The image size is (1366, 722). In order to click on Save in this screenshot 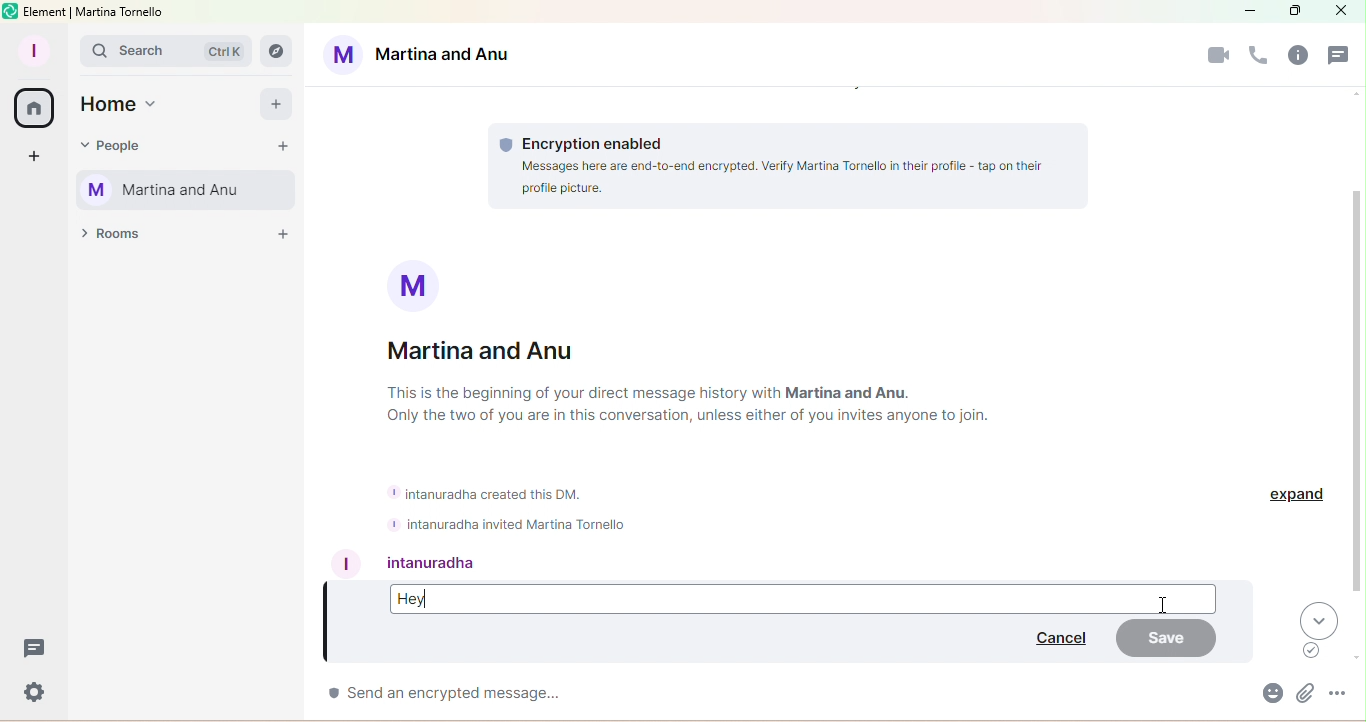, I will do `click(1169, 638)`.